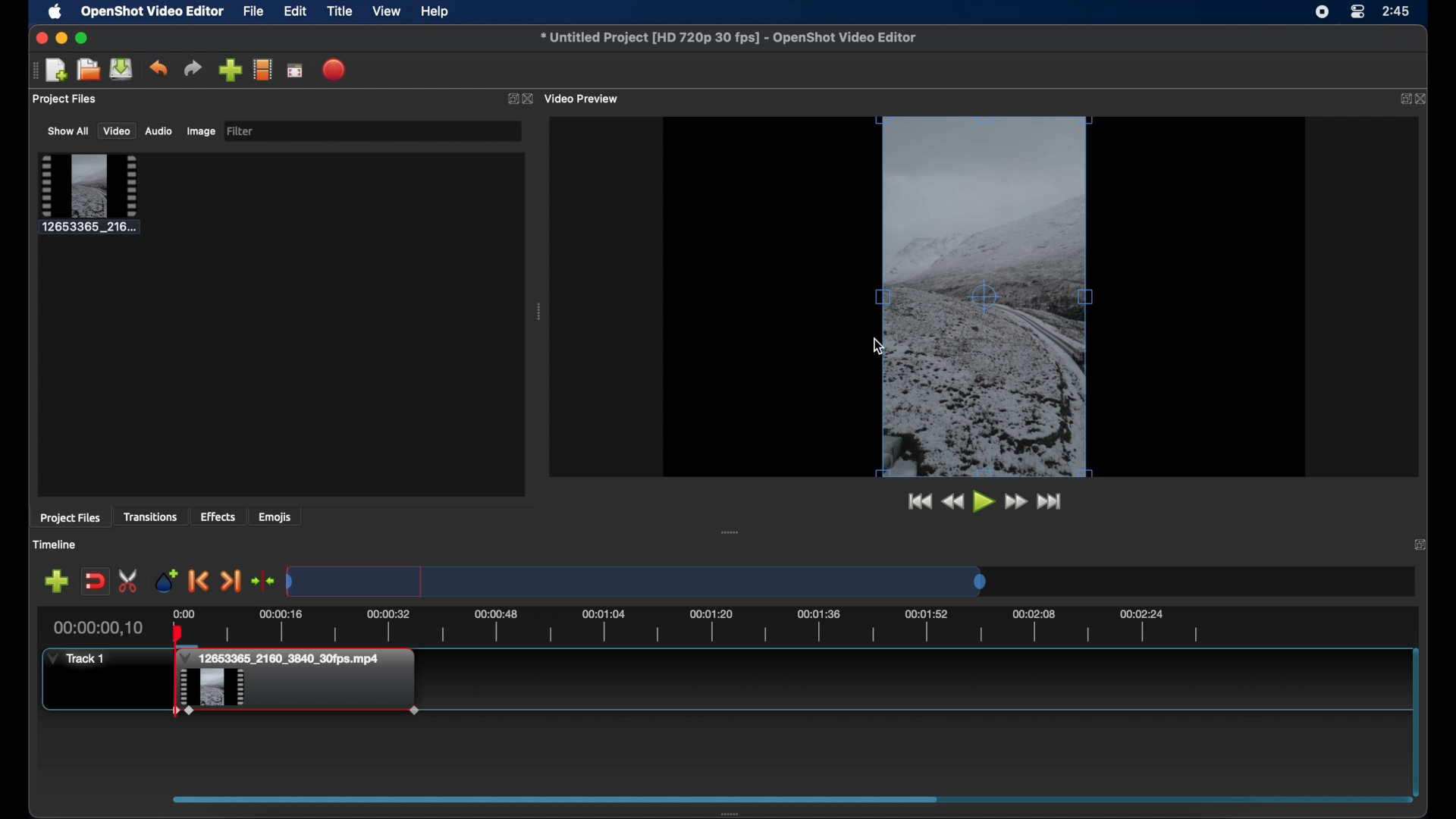 The height and width of the screenshot is (819, 1456). Describe the element at coordinates (199, 131) in the screenshot. I see `image` at that location.